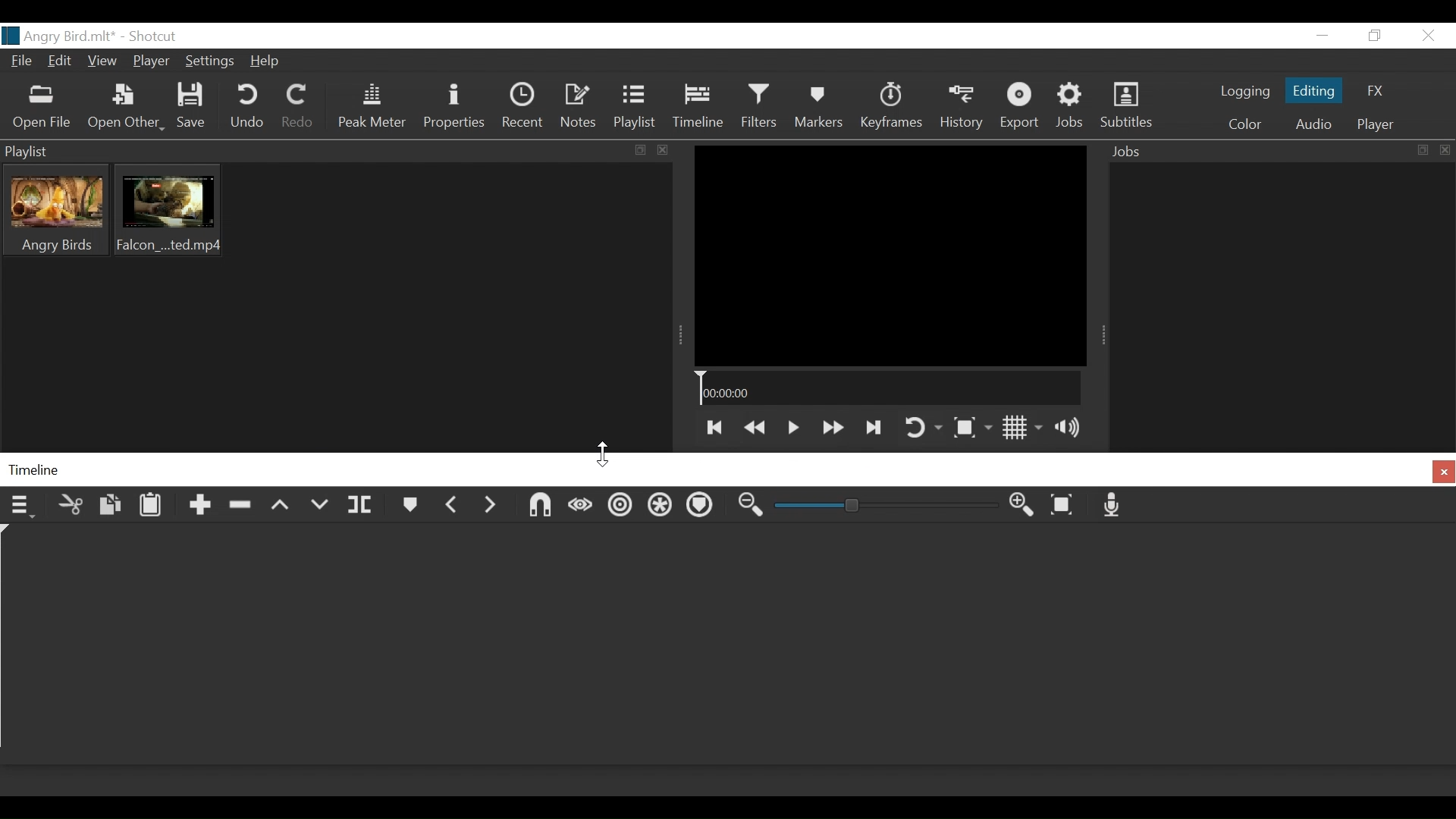 The image size is (1456, 819). I want to click on Export, so click(1021, 106).